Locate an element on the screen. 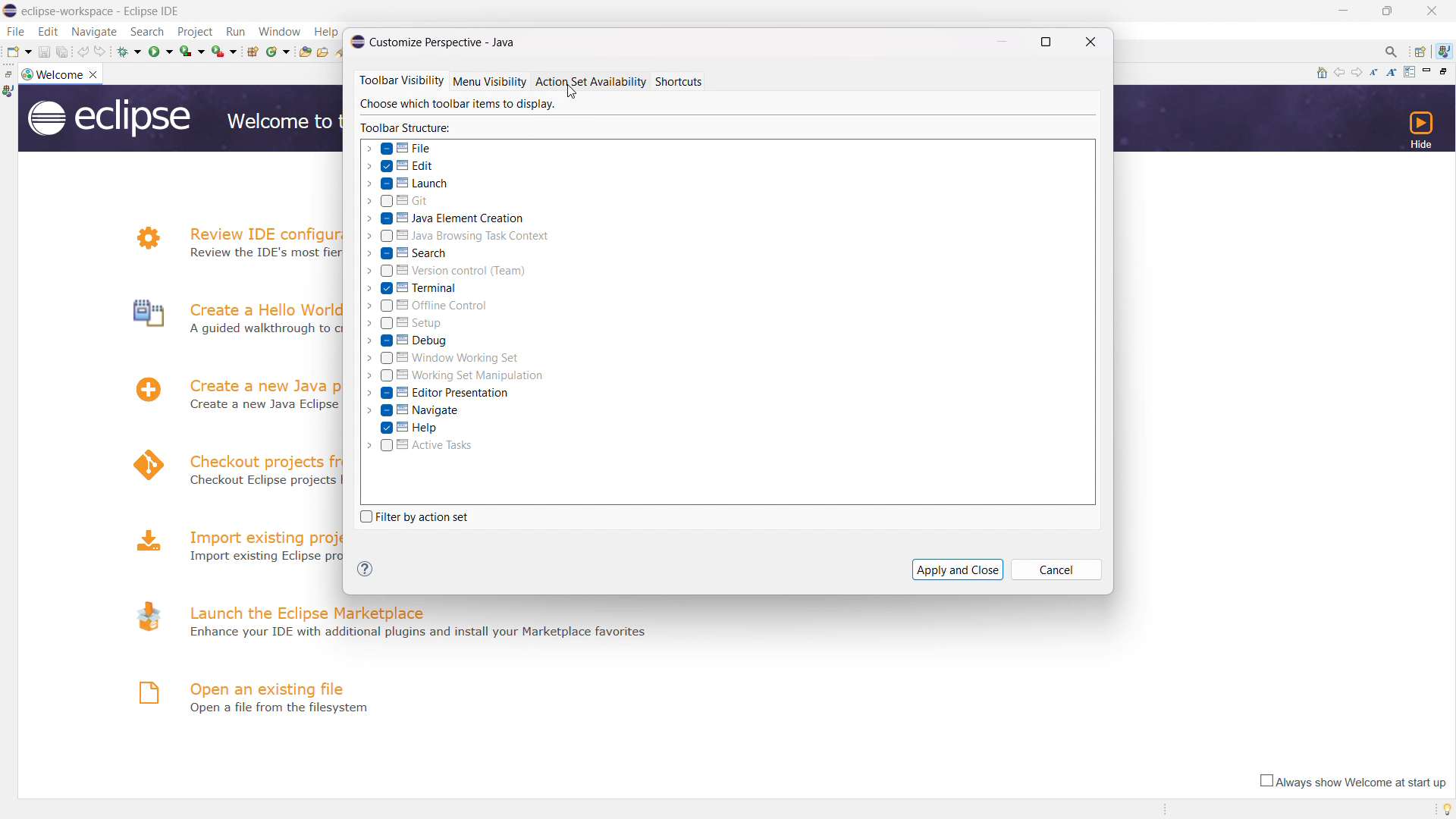 The image size is (1456, 819). setup is located at coordinates (403, 322).